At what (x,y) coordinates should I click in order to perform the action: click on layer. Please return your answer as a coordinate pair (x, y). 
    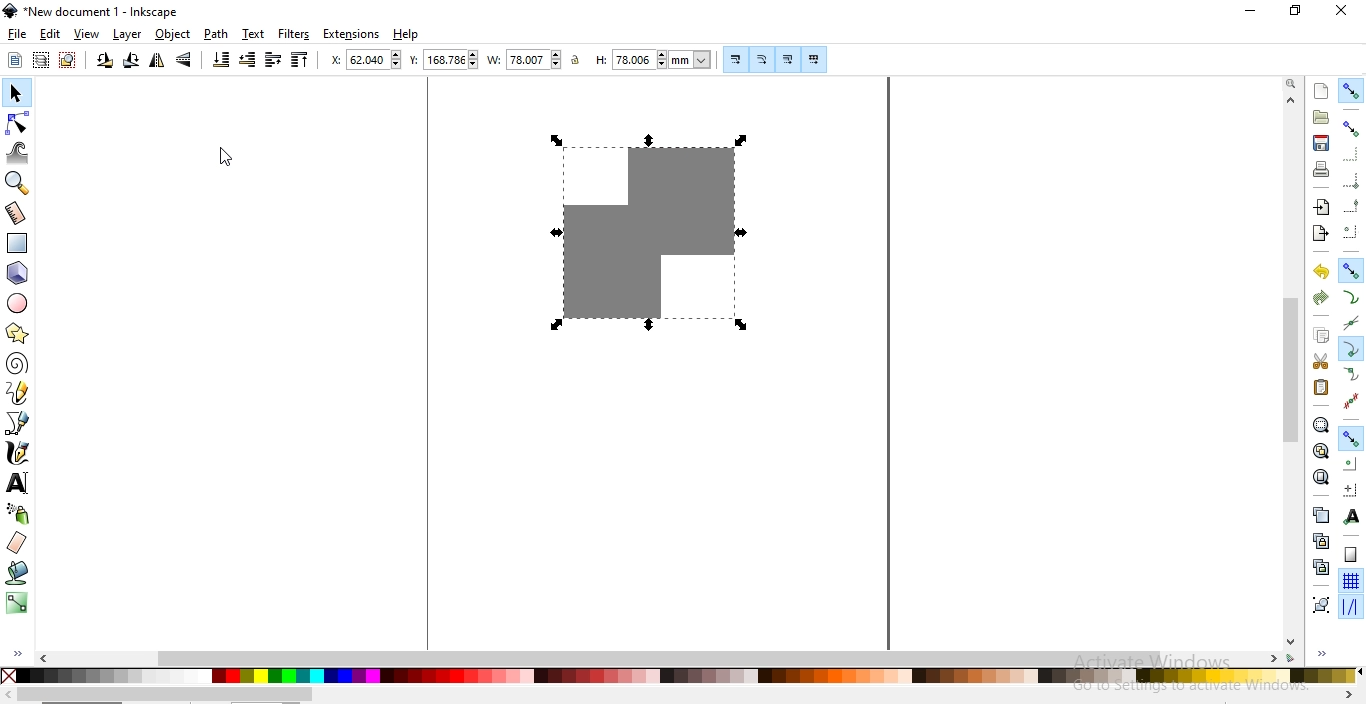
    Looking at the image, I should click on (127, 35).